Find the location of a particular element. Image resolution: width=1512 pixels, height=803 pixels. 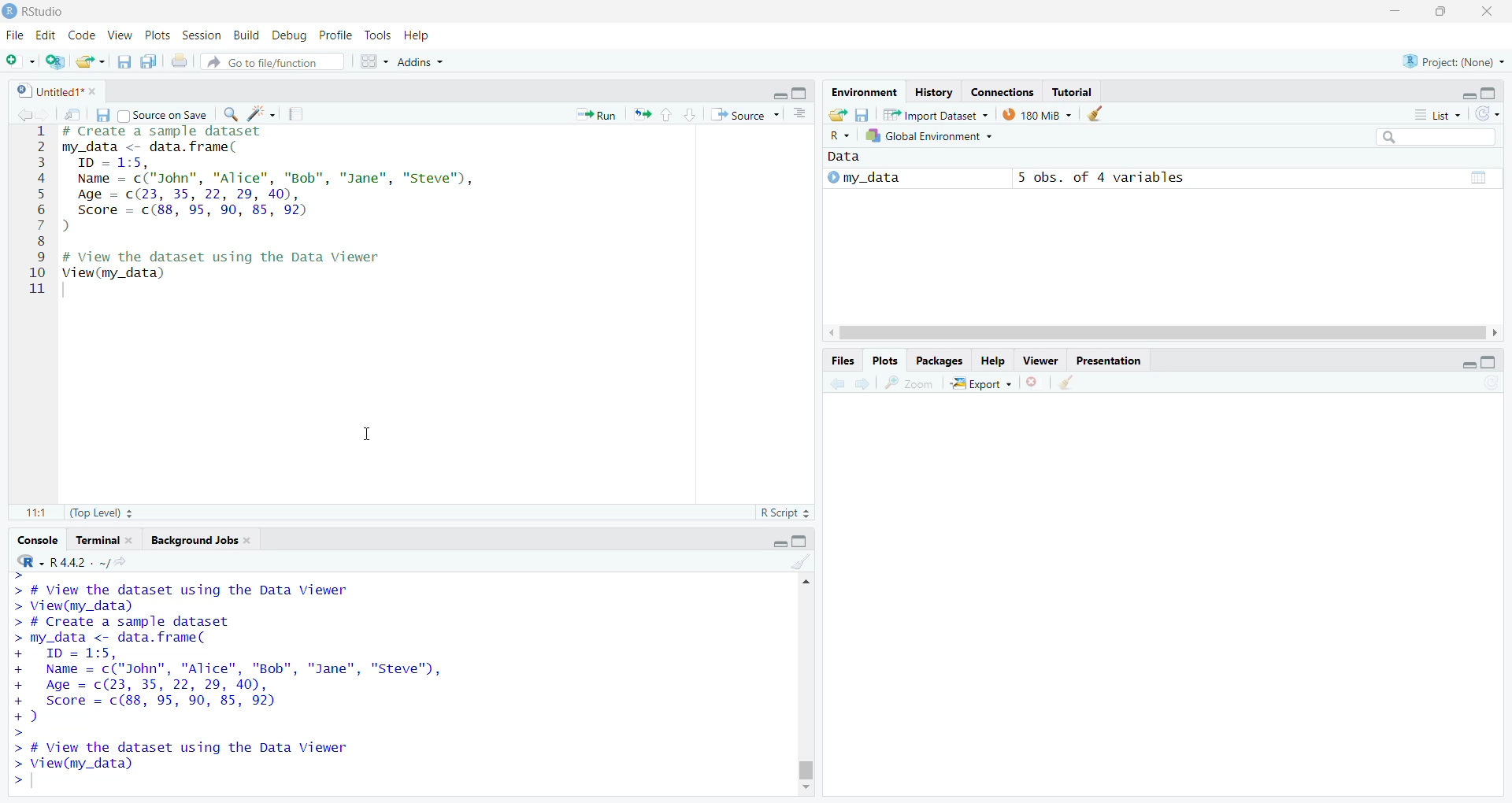

Files is located at coordinates (841, 361).